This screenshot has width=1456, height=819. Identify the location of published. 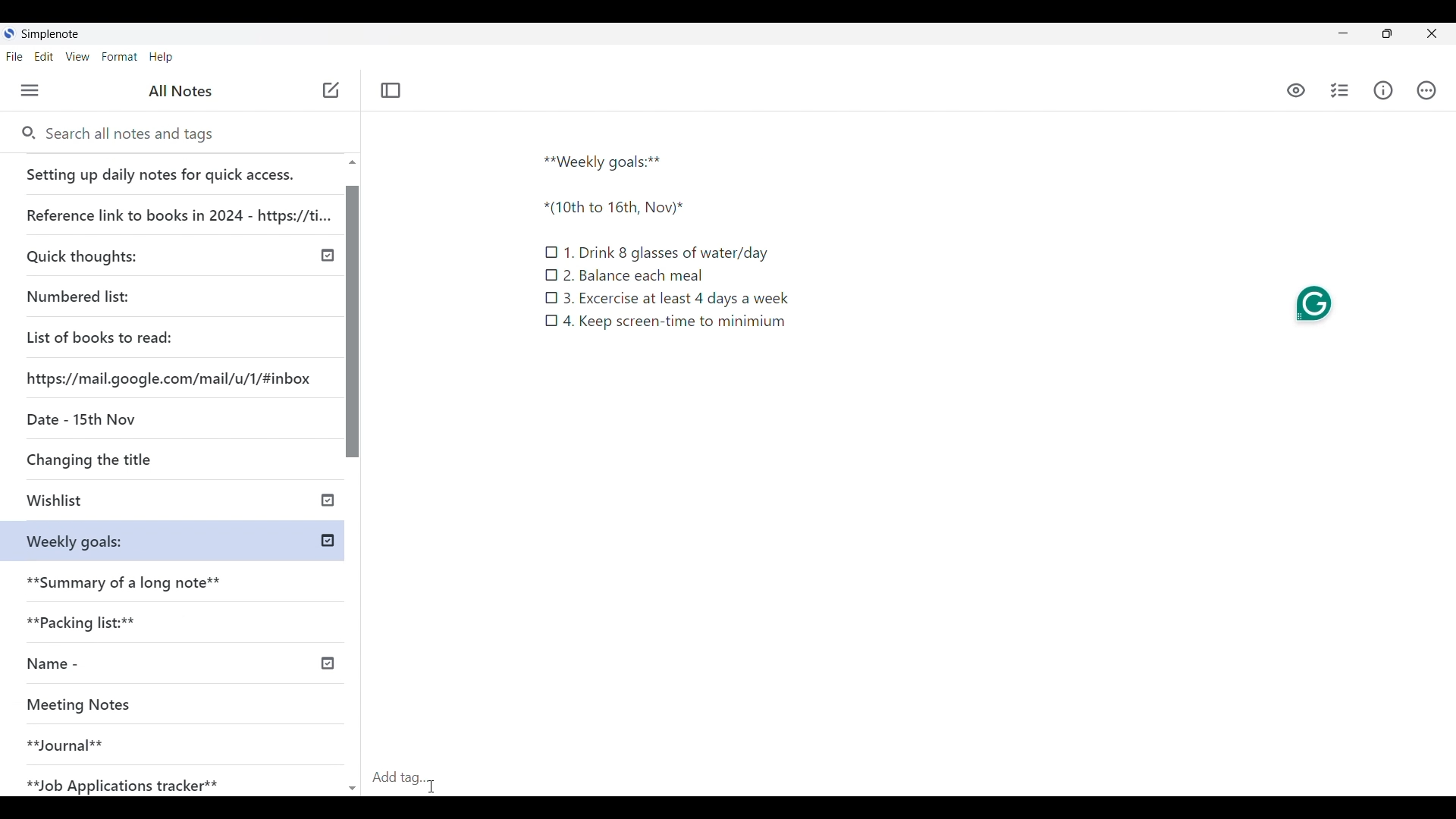
(326, 664).